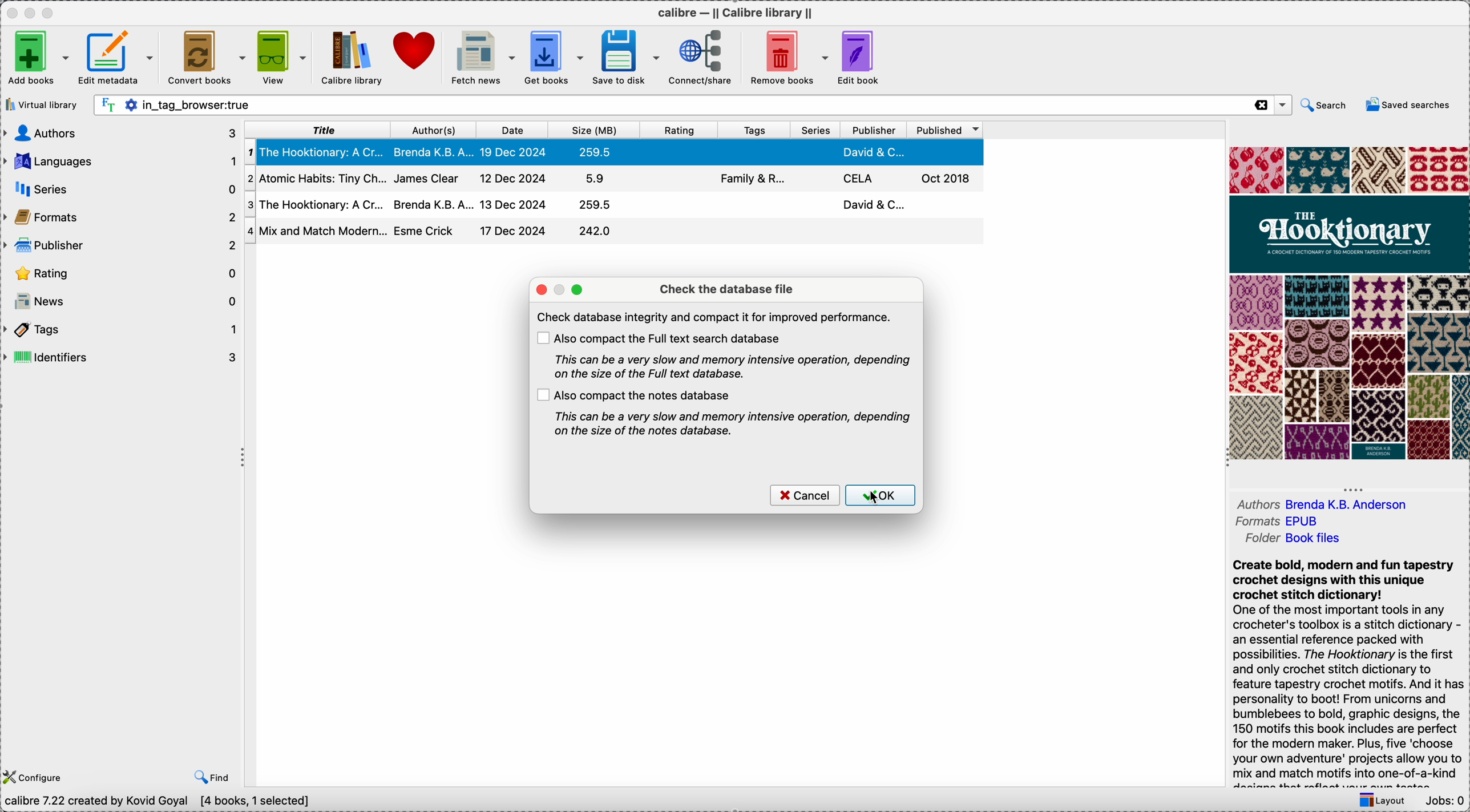  Describe the element at coordinates (415, 55) in the screenshot. I see `donate` at that location.